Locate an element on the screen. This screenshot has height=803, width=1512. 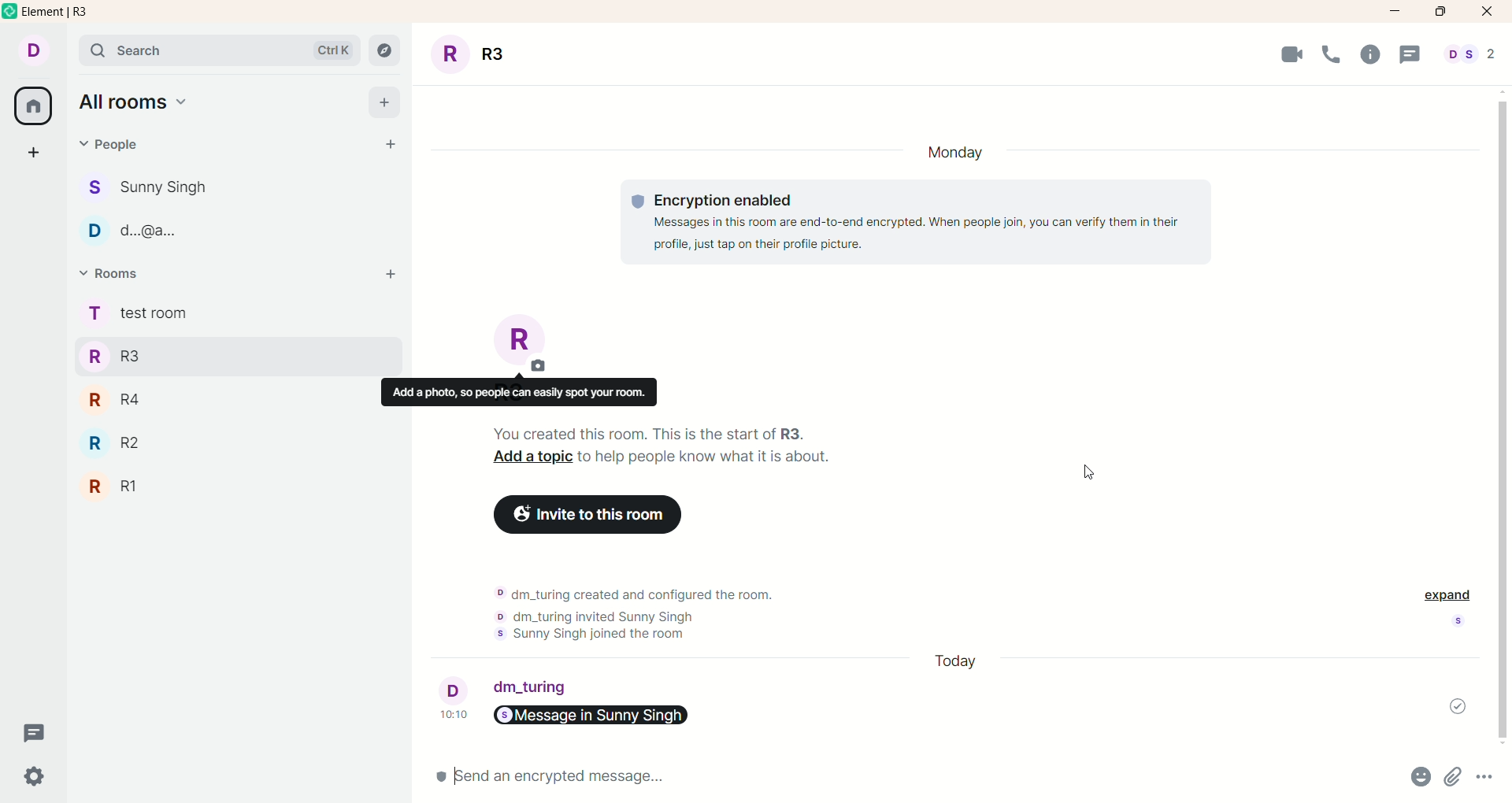
search is located at coordinates (219, 52).